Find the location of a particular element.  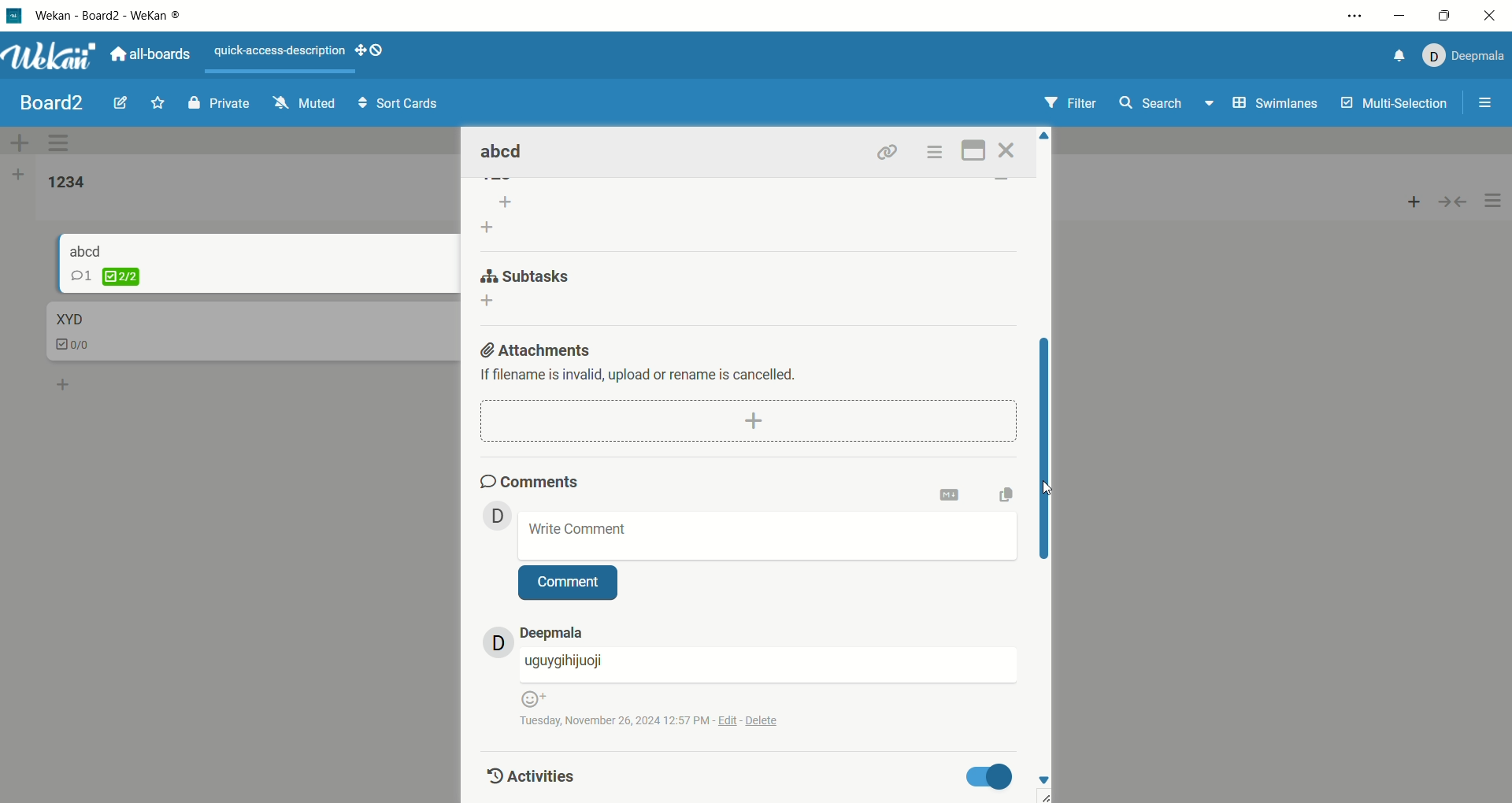

card title is located at coordinates (504, 153).